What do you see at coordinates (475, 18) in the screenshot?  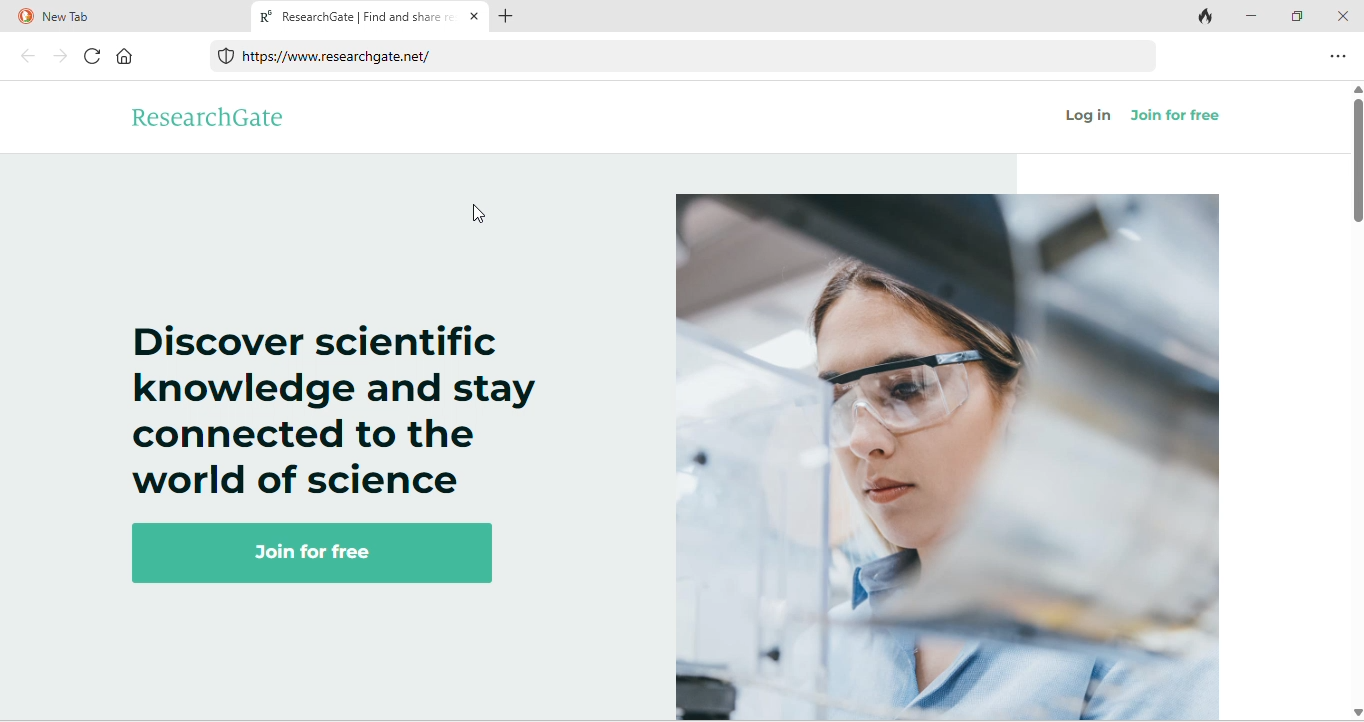 I see `close tab` at bounding box center [475, 18].